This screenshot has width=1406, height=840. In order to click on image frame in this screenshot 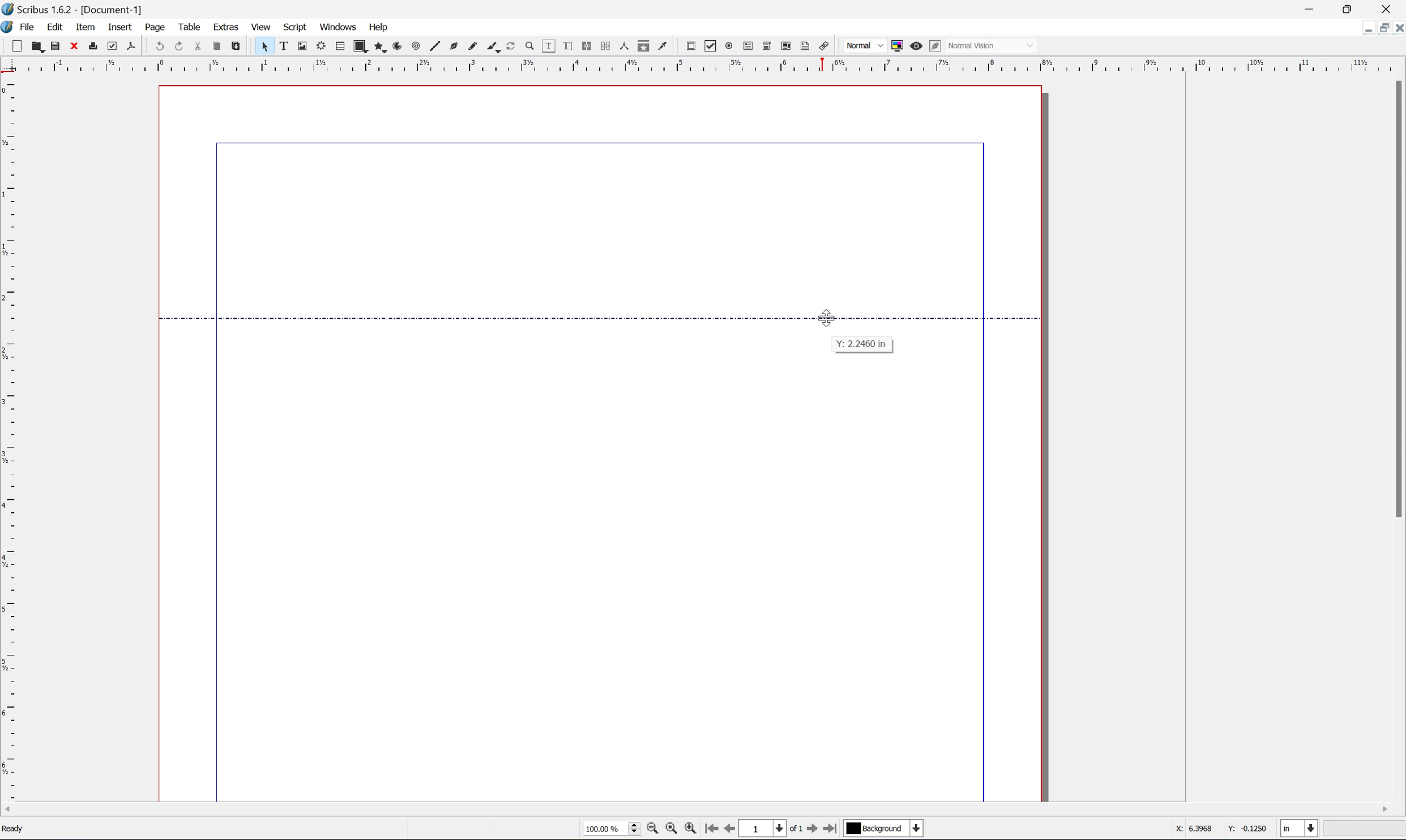, I will do `click(303, 46)`.